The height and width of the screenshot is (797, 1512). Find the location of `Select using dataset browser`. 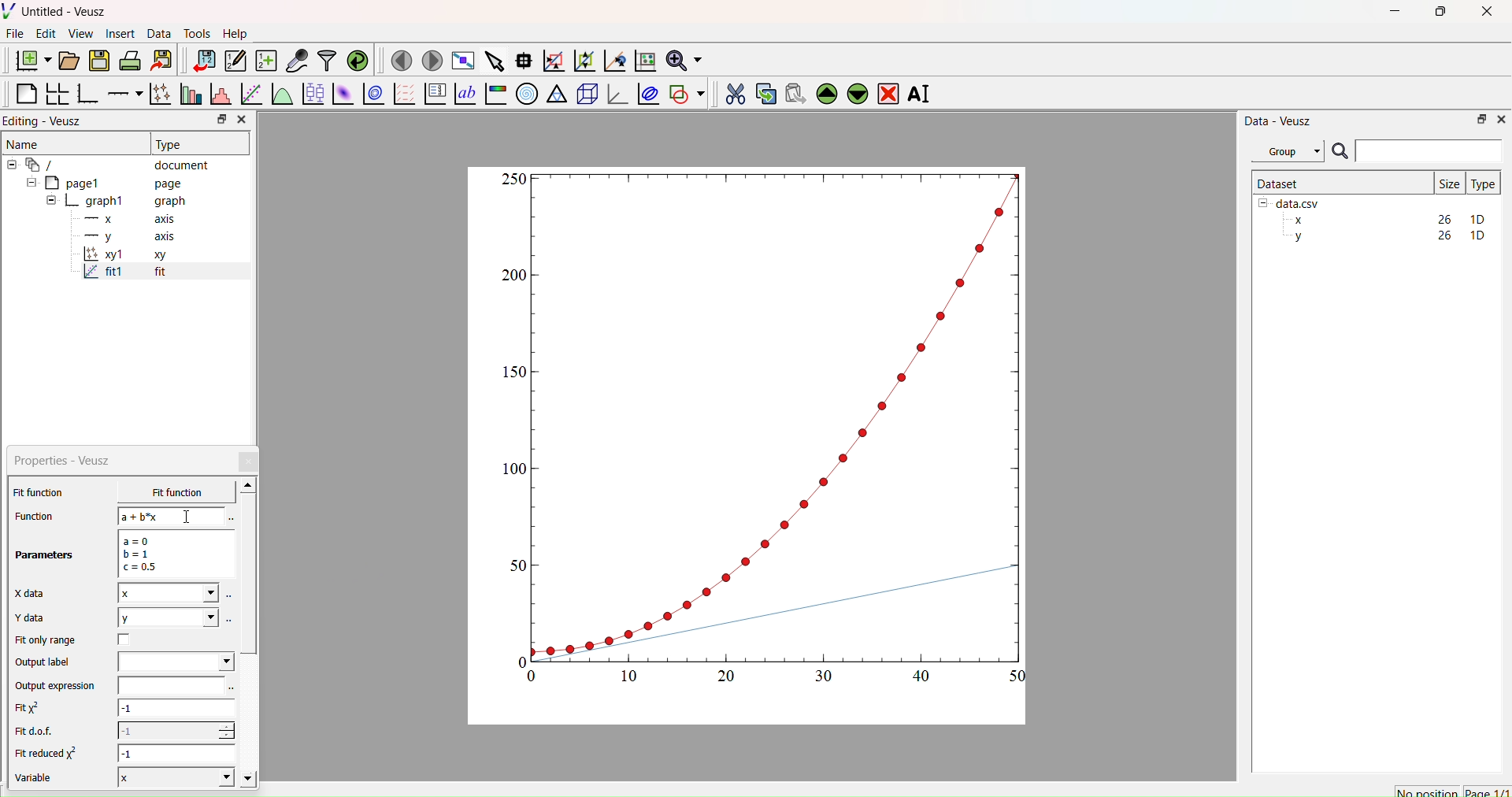

Select using dataset browser is located at coordinates (230, 619).